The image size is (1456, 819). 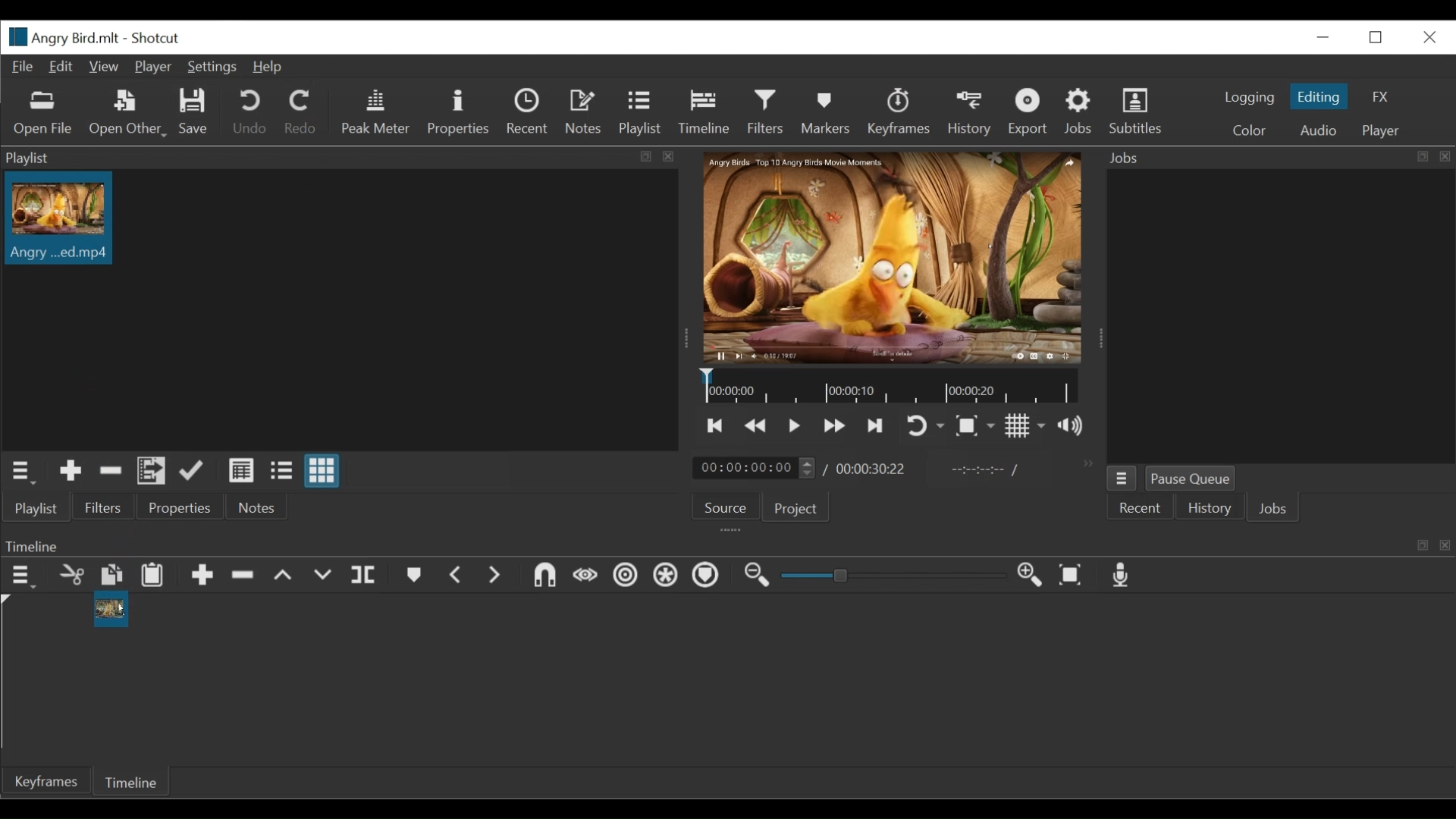 What do you see at coordinates (210, 67) in the screenshot?
I see `Settings` at bounding box center [210, 67].